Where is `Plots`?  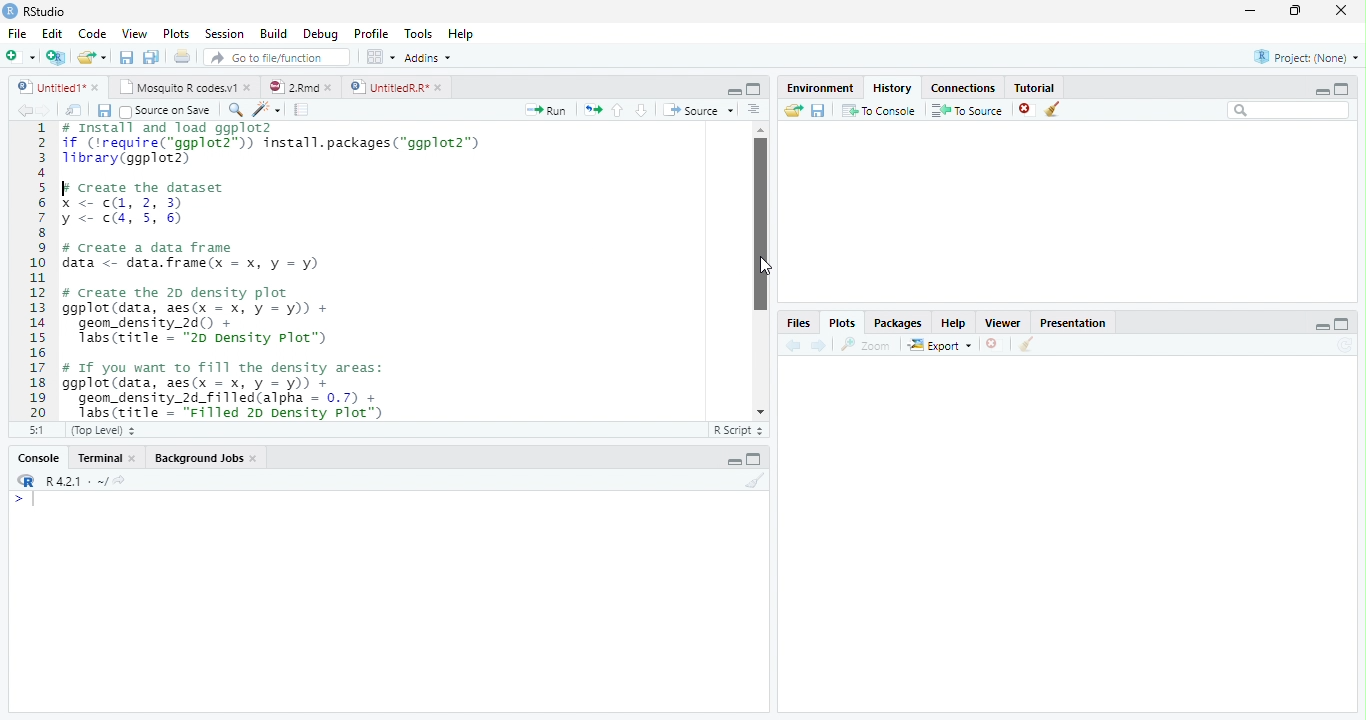
Plots is located at coordinates (175, 33).